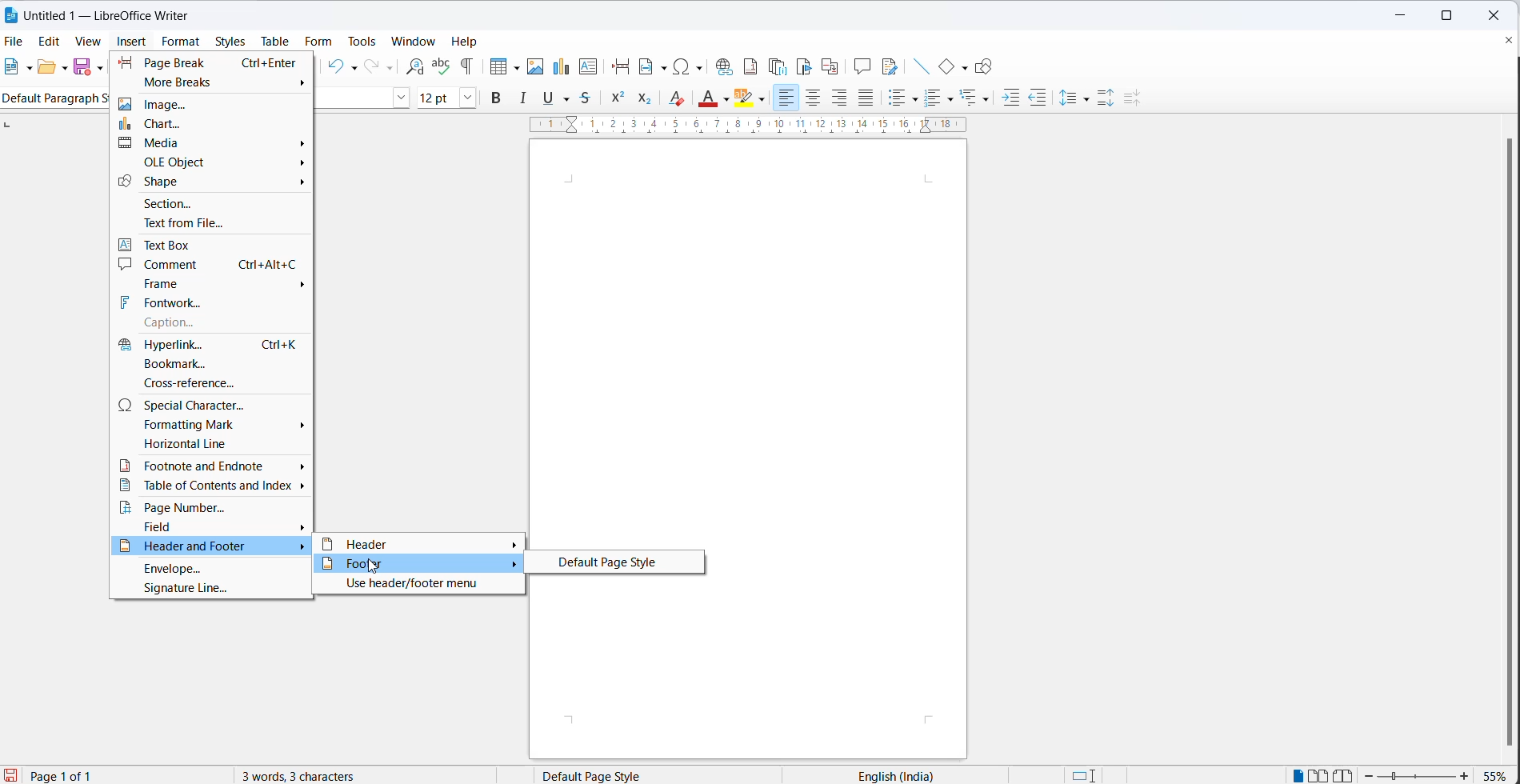 The height and width of the screenshot is (784, 1520). I want to click on find and replace, so click(414, 66).